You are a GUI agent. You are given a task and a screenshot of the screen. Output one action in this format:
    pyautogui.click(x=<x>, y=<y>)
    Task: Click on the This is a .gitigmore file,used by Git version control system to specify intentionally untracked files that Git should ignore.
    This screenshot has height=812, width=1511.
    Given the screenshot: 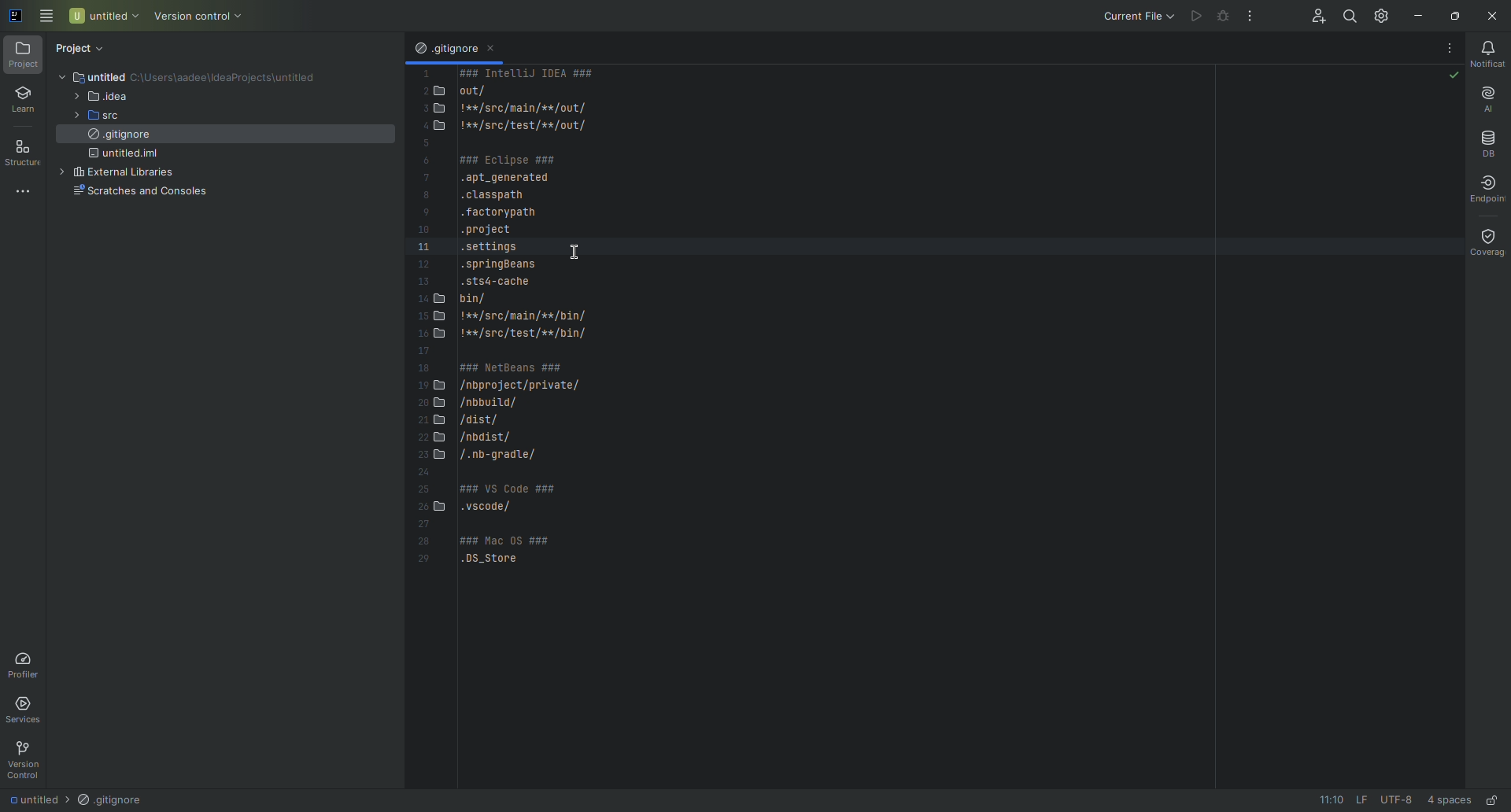 What is the action you would take?
    pyautogui.click(x=507, y=330)
    